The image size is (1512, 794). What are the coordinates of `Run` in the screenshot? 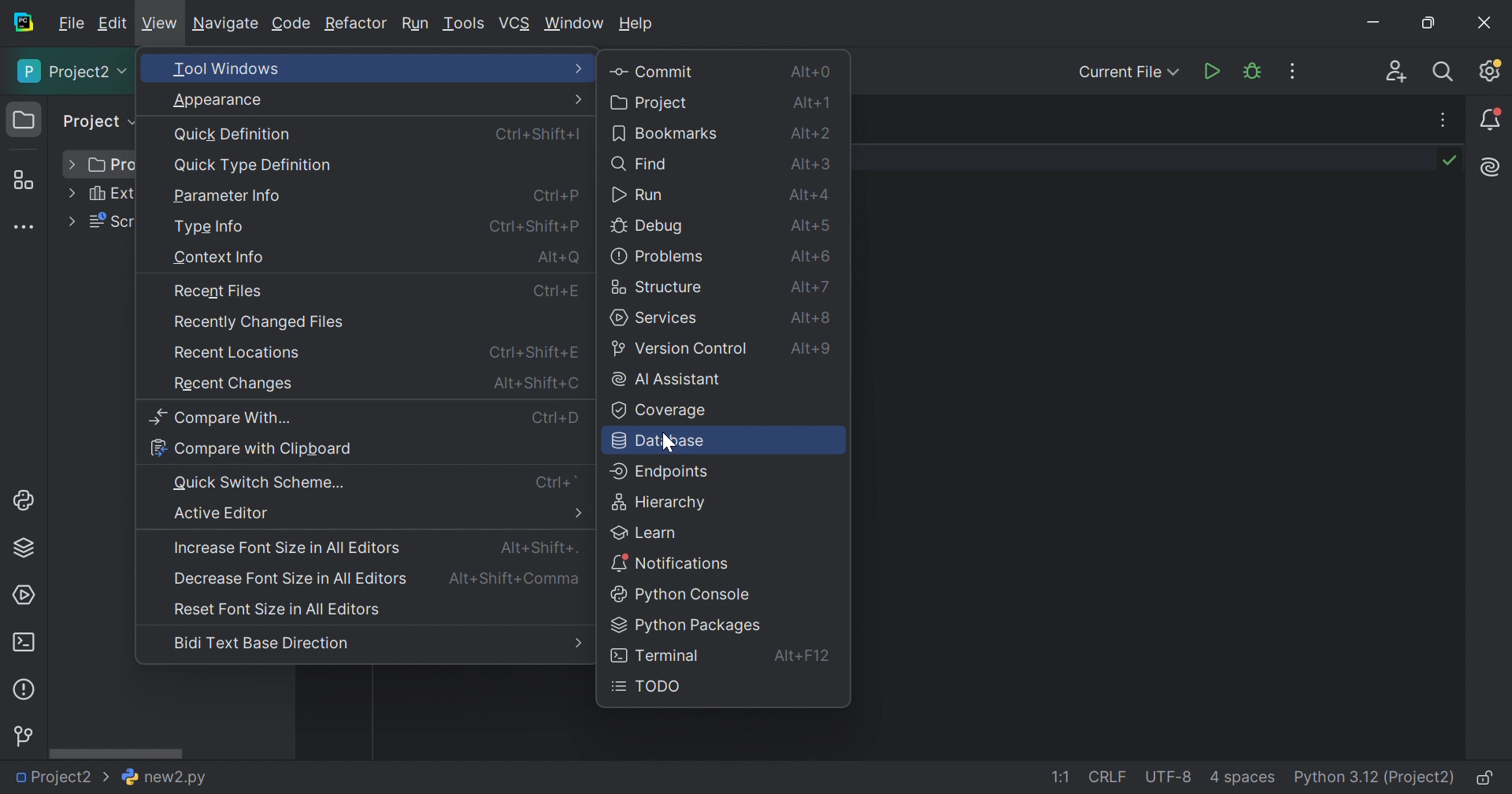 It's located at (416, 26).